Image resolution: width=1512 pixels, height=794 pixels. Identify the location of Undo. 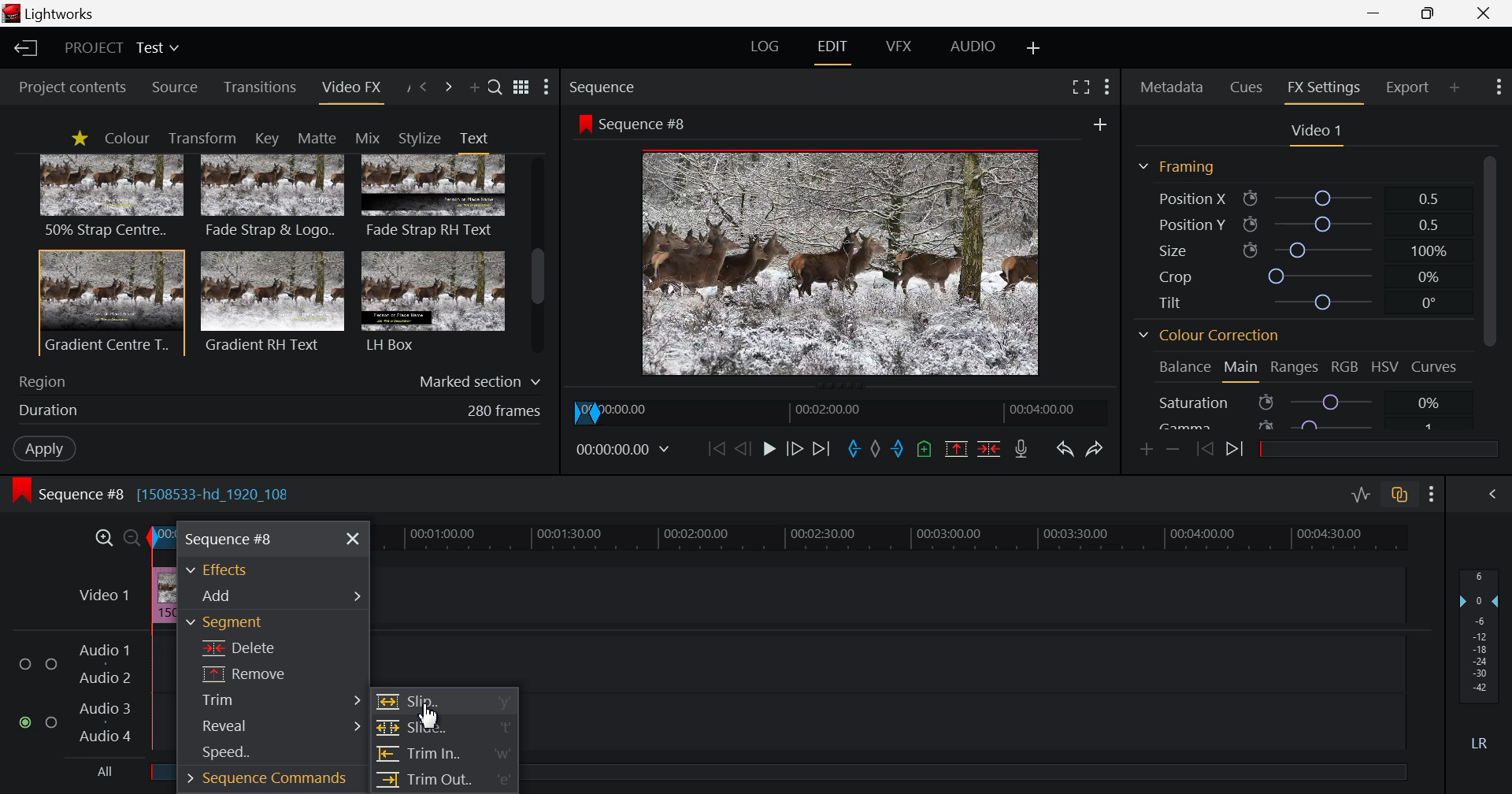
(1065, 449).